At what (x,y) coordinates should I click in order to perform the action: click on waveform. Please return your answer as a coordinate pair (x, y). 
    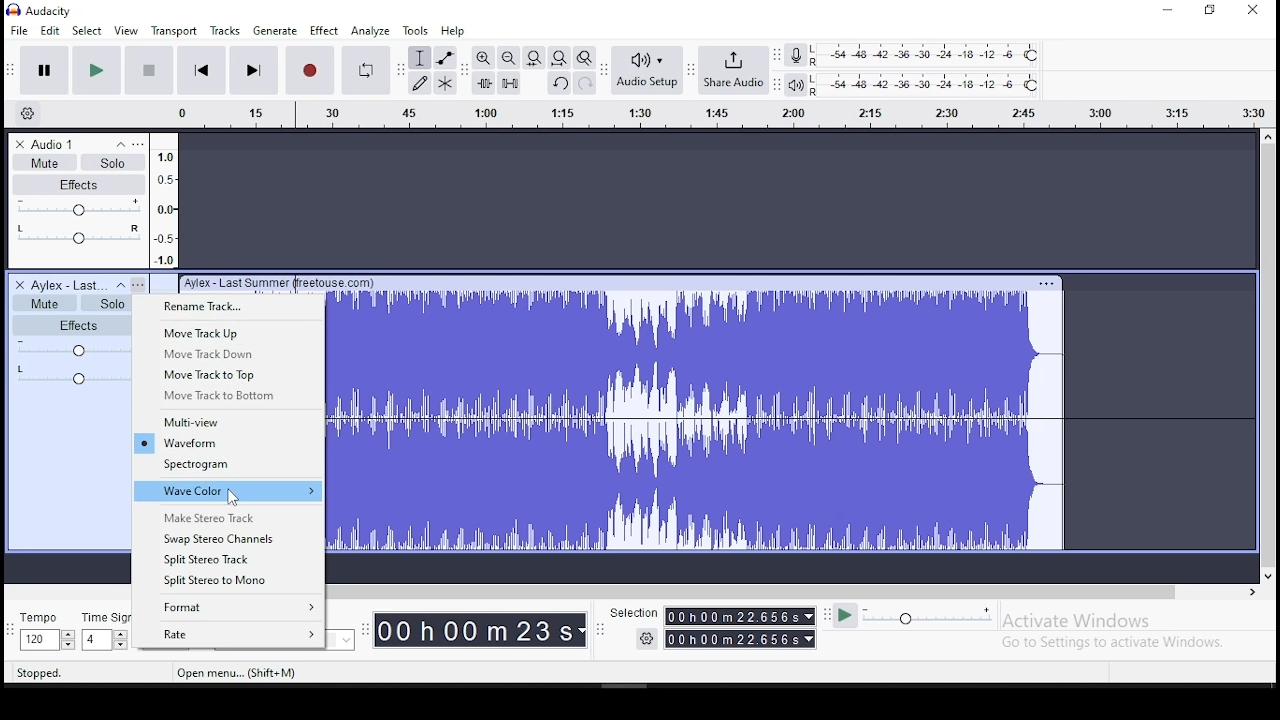
    Looking at the image, I should click on (226, 443).